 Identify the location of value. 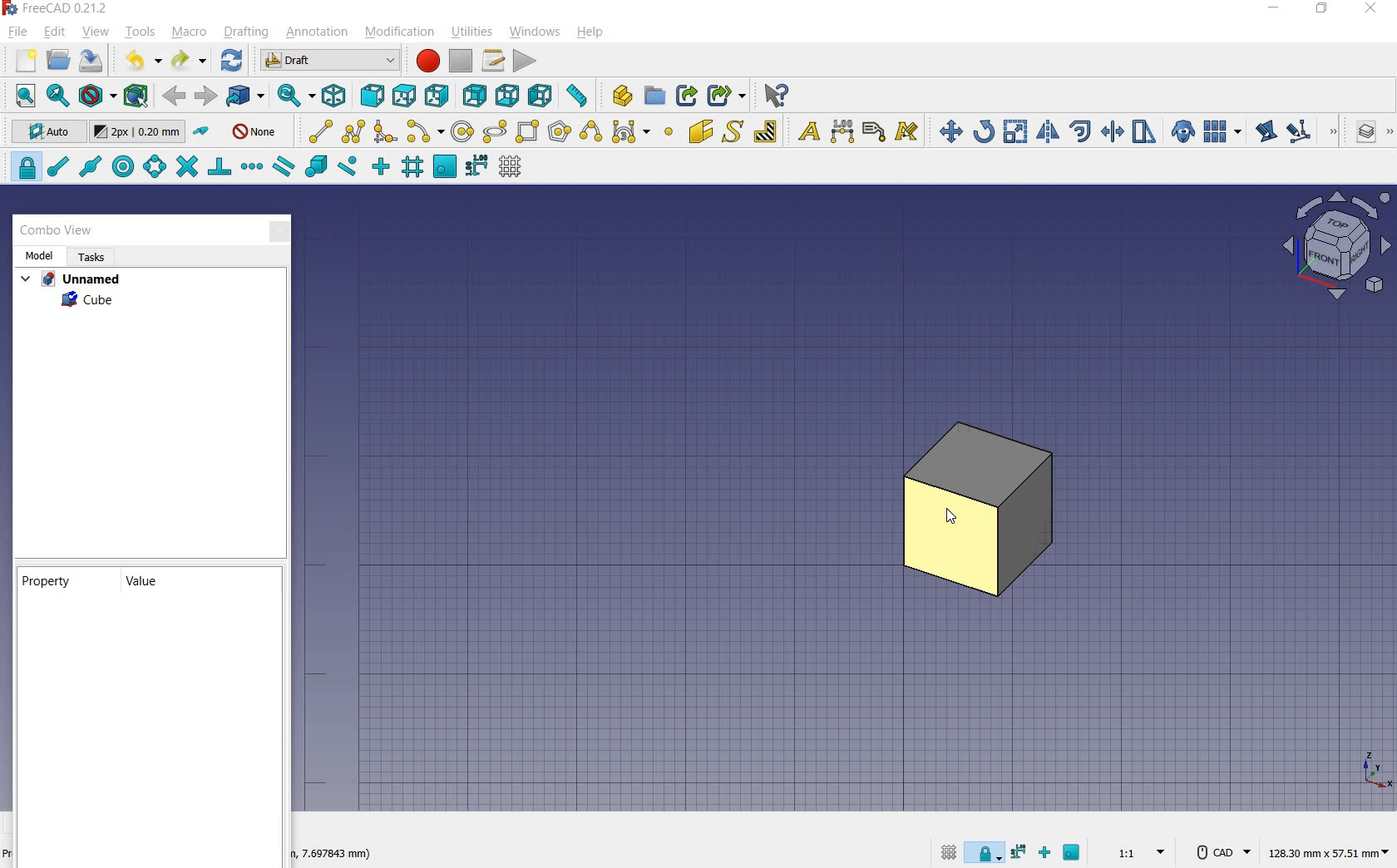
(144, 581).